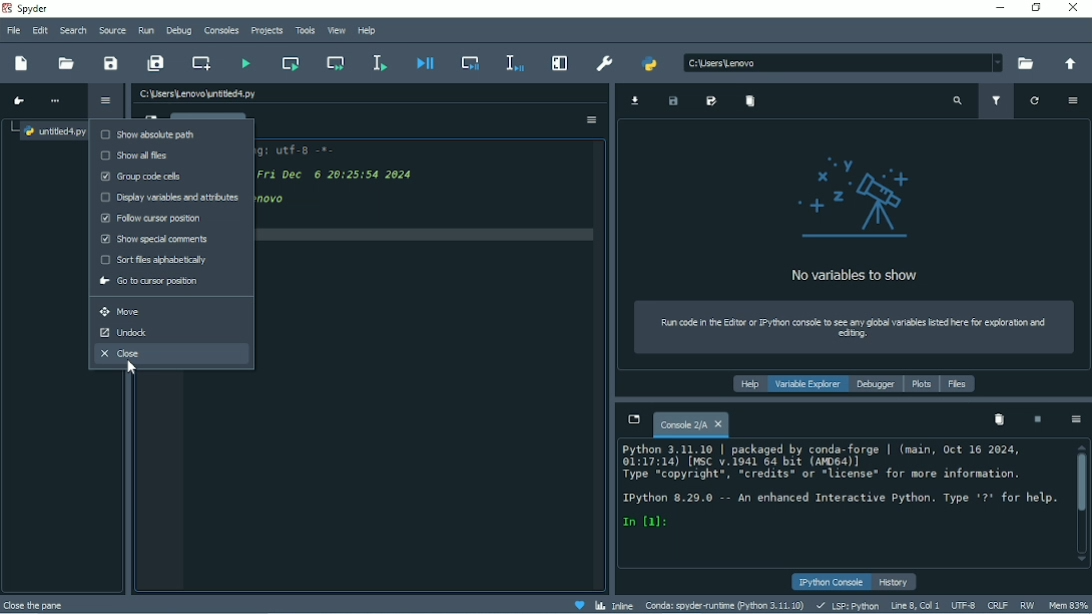 This screenshot has height=614, width=1092. What do you see at coordinates (894, 582) in the screenshot?
I see `History` at bounding box center [894, 582].